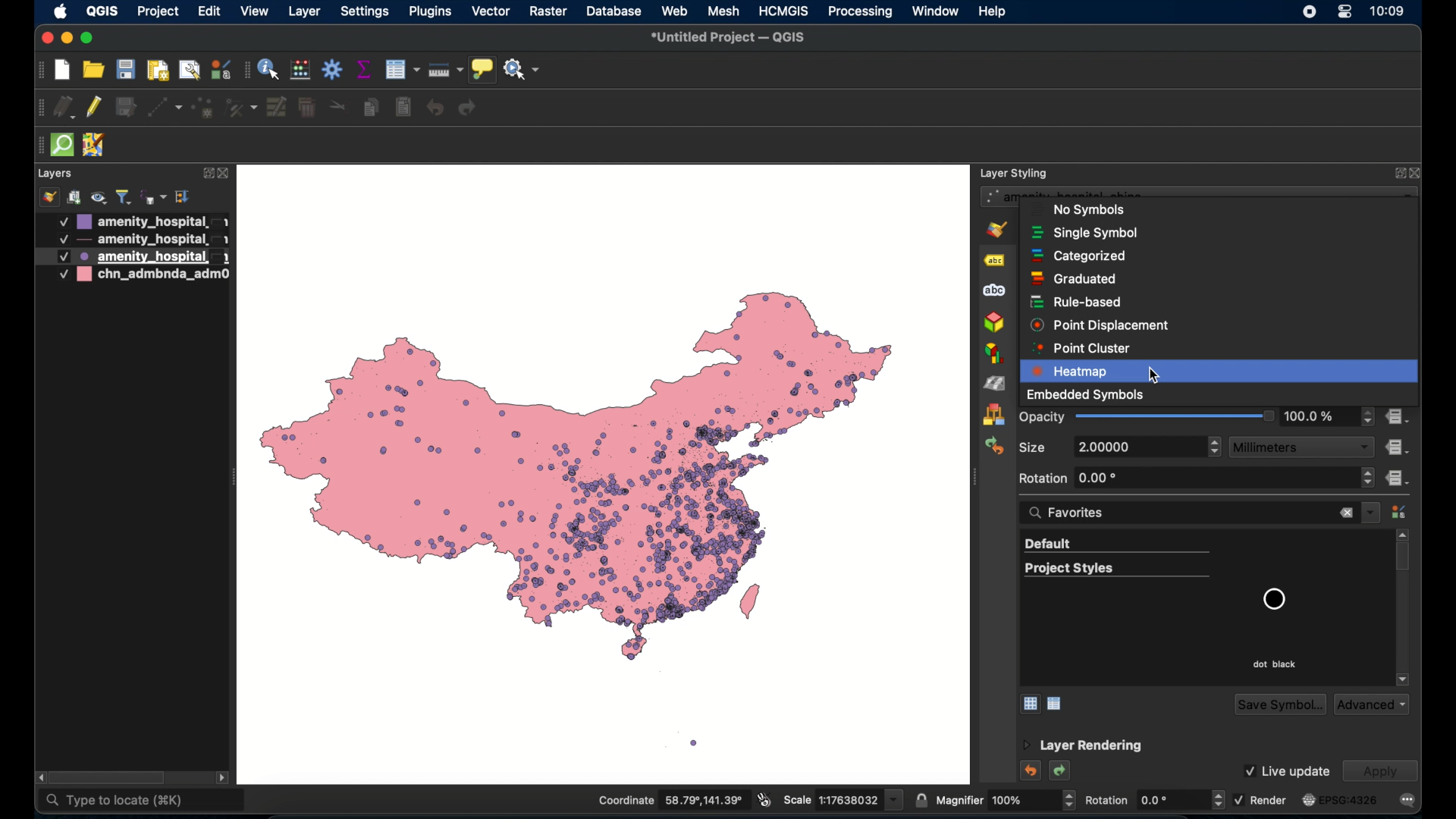 This screenshot has height=819, width=1456. What do you see at coordinates (152, 197) in the screenshot?
I see `filter legend by expression` at bounding box center [152, 197].